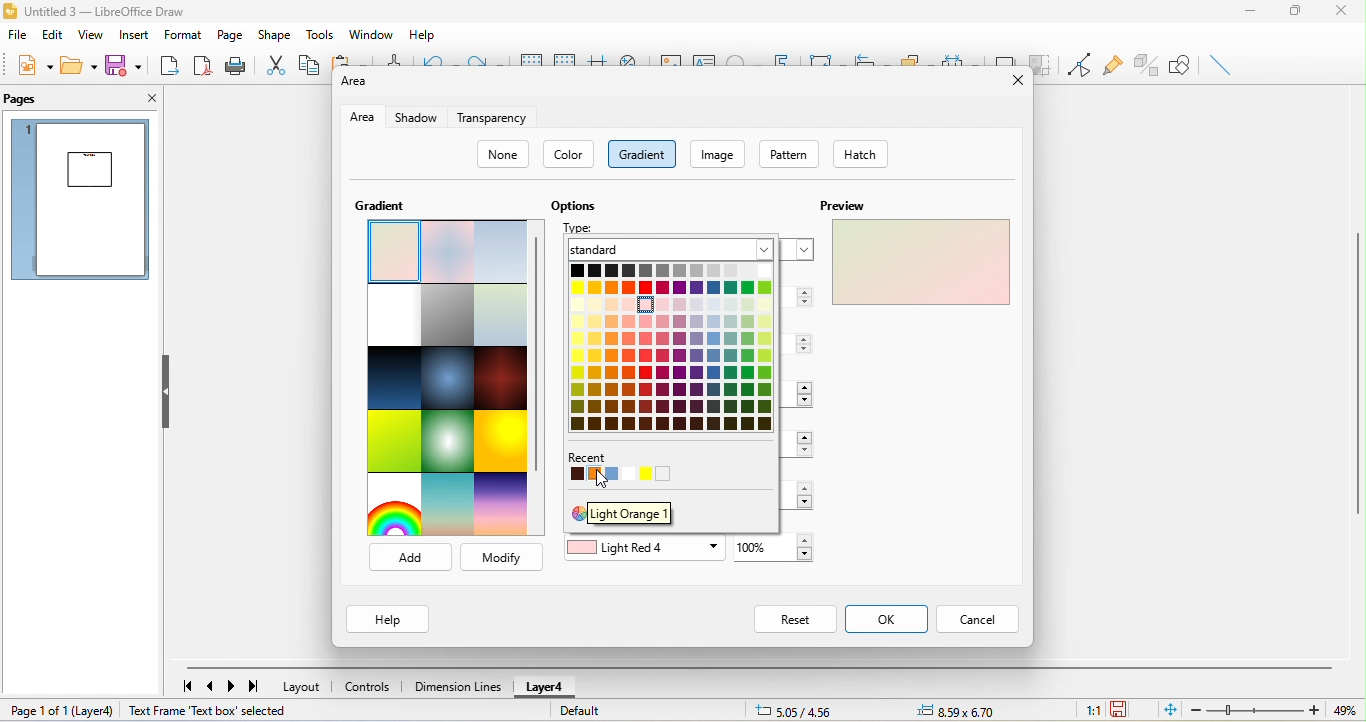 The image size is (1366, 722). Describe the element at coordinates (185, 685) in the screenshot. I see `first page` at that location.